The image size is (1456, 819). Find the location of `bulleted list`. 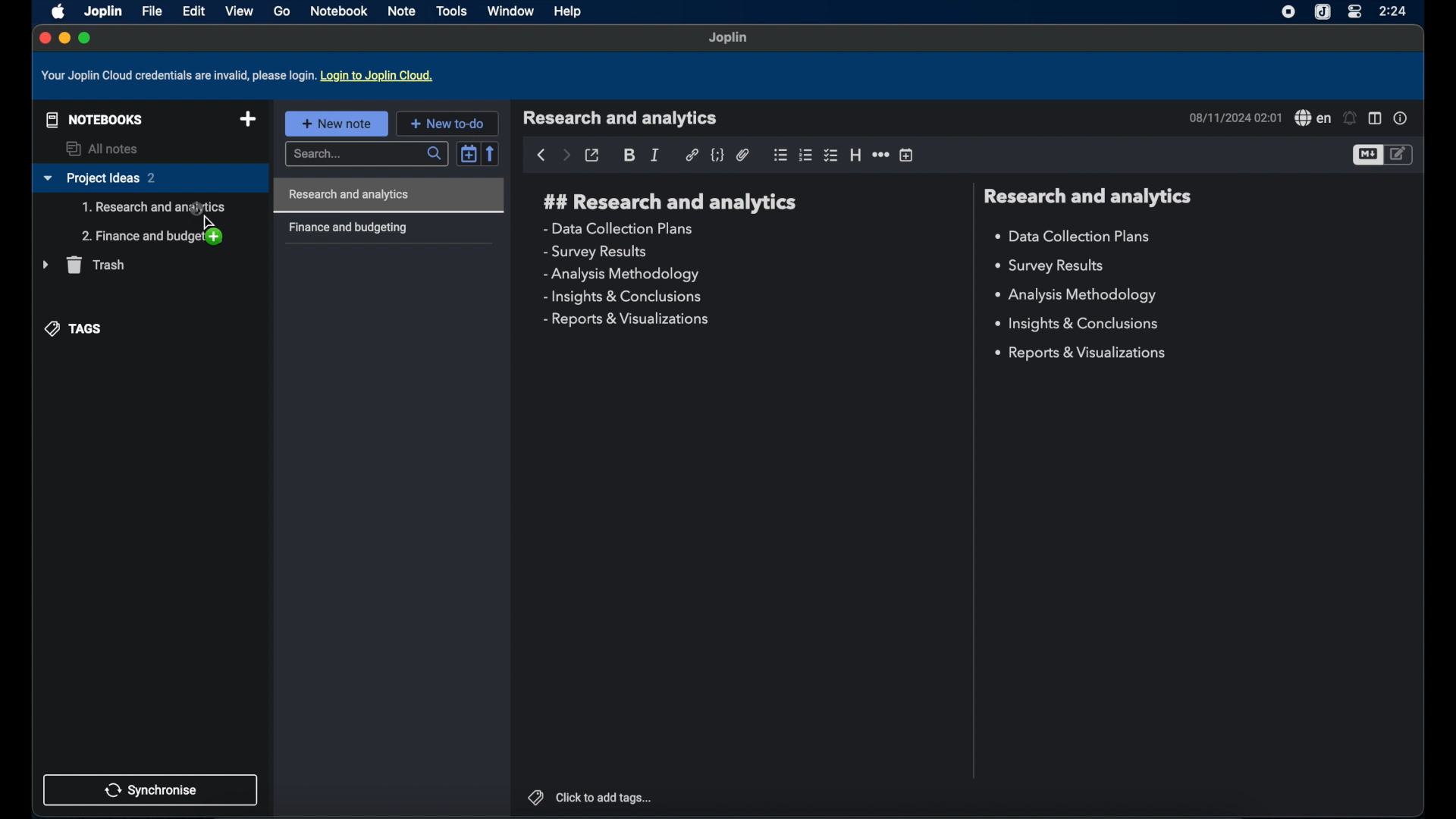

bulleted list is located at coordinates (780, 155).